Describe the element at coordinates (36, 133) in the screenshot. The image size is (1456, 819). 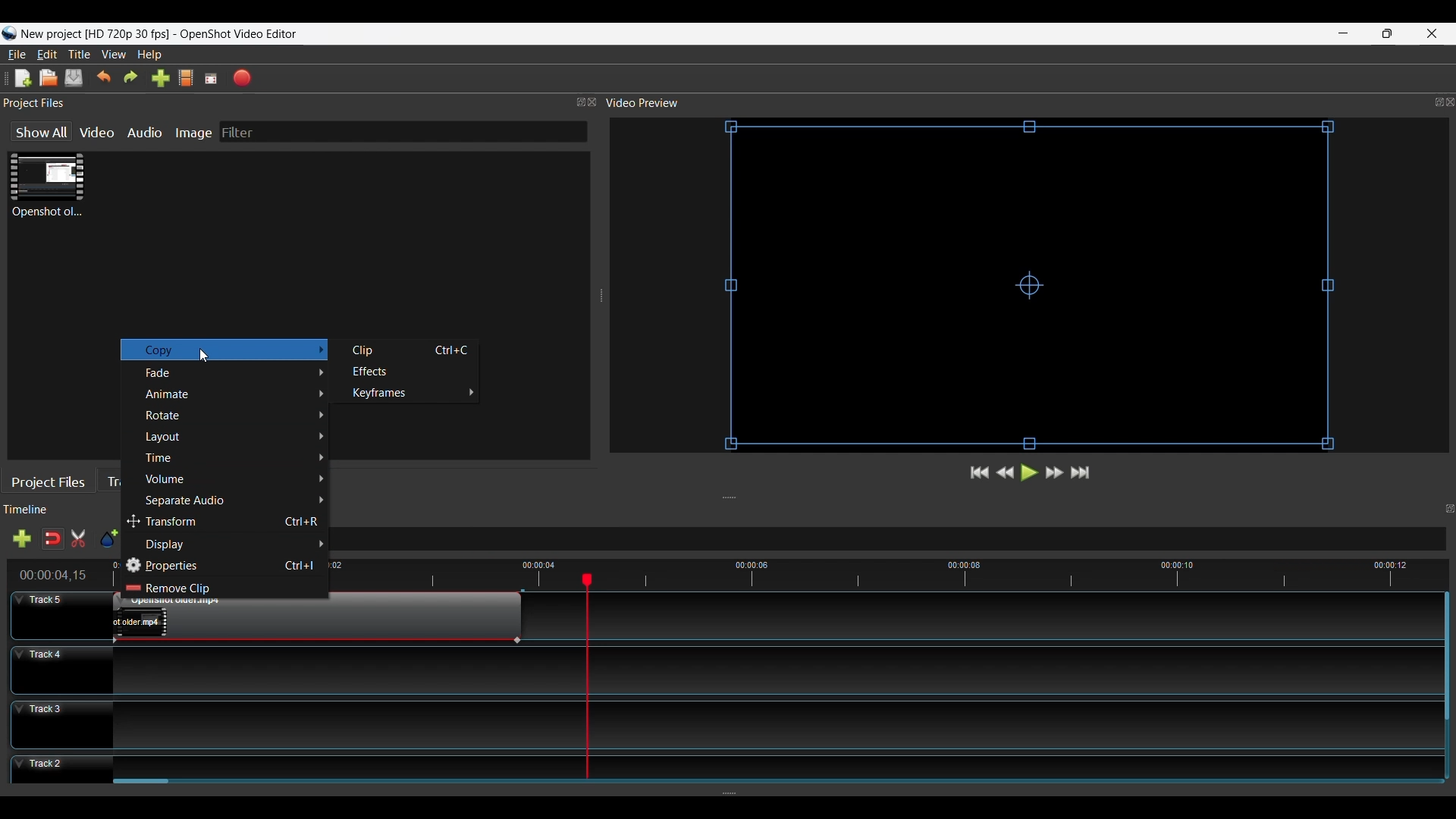
I see `Show All` at that location.